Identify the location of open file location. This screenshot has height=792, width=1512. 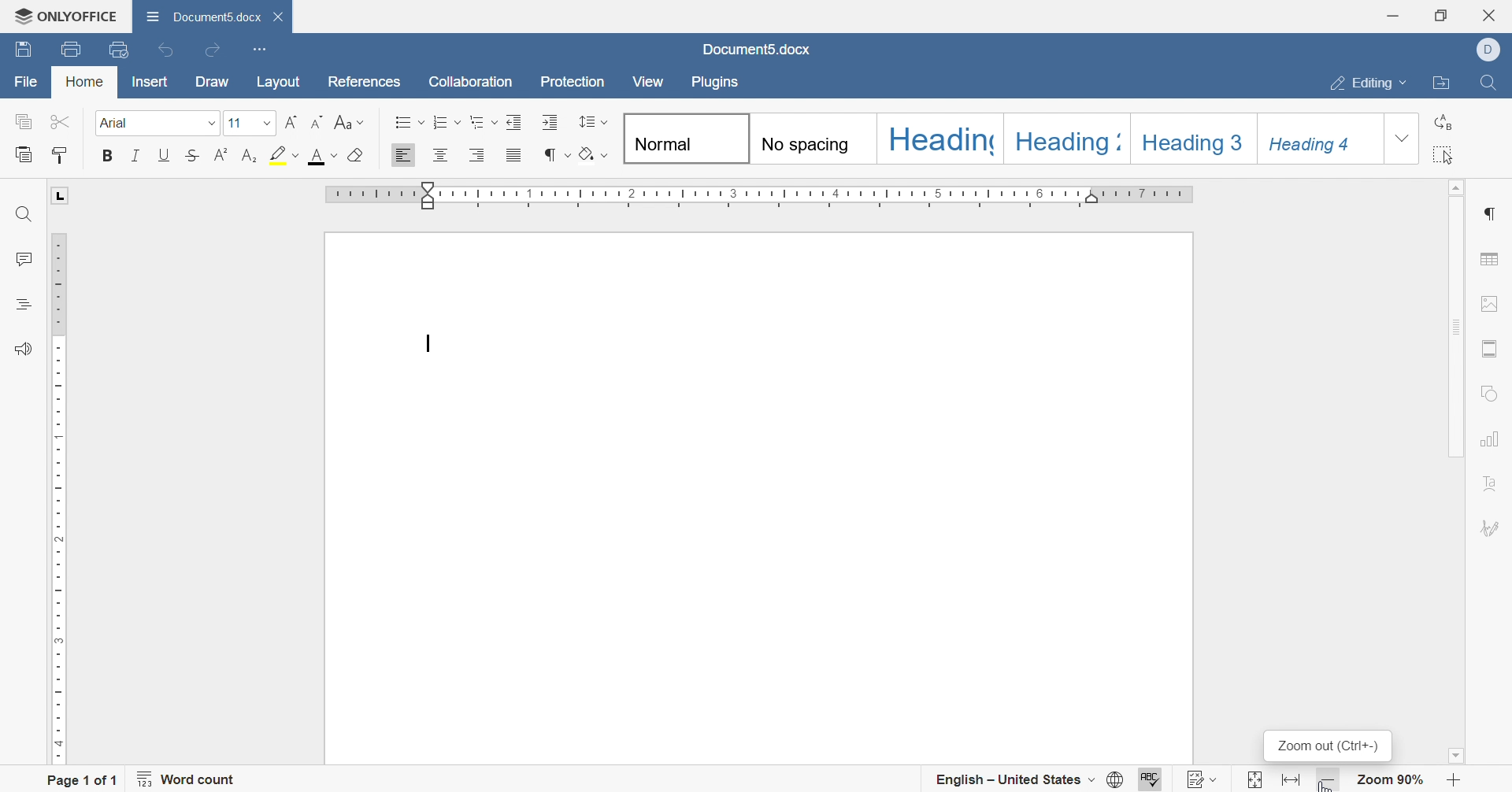
(1439, 81).